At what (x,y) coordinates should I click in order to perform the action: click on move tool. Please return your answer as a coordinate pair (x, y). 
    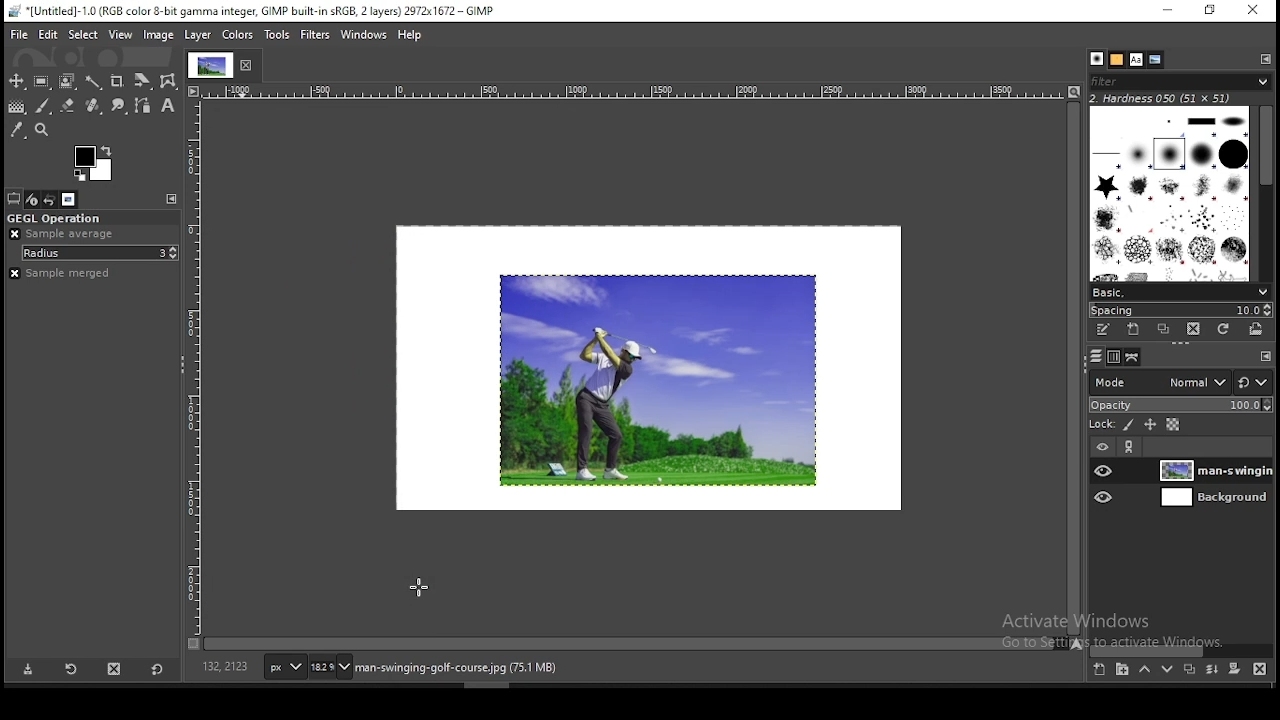
    Looking at the image, I should click on (16, 80).